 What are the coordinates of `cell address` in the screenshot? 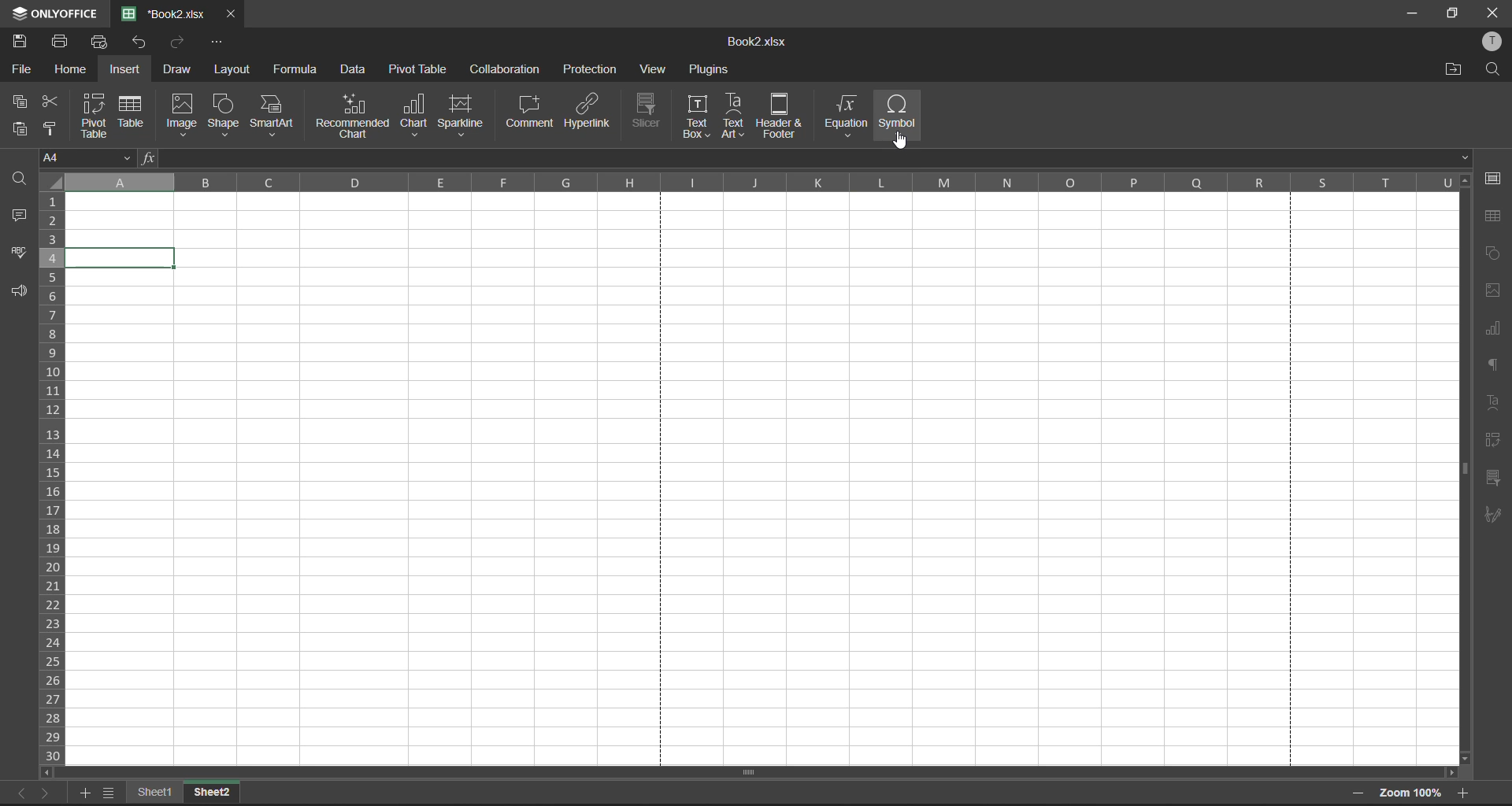 It's located at (87, 157).